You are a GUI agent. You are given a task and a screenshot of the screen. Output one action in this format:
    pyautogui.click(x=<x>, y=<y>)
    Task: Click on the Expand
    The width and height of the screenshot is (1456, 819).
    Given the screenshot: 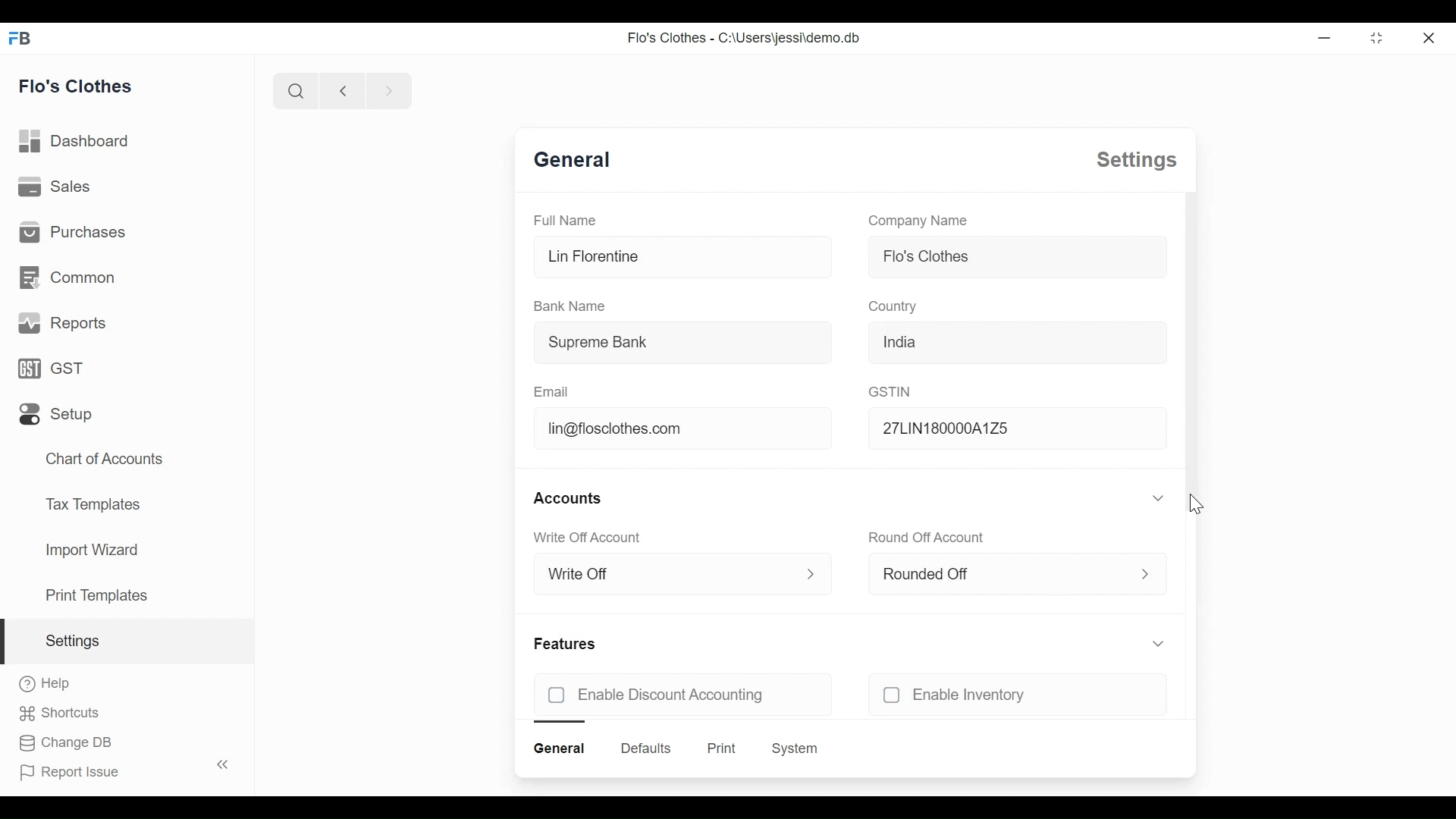 What is the action you would take?
    pyautogui.click(x=1158, y=644)
    